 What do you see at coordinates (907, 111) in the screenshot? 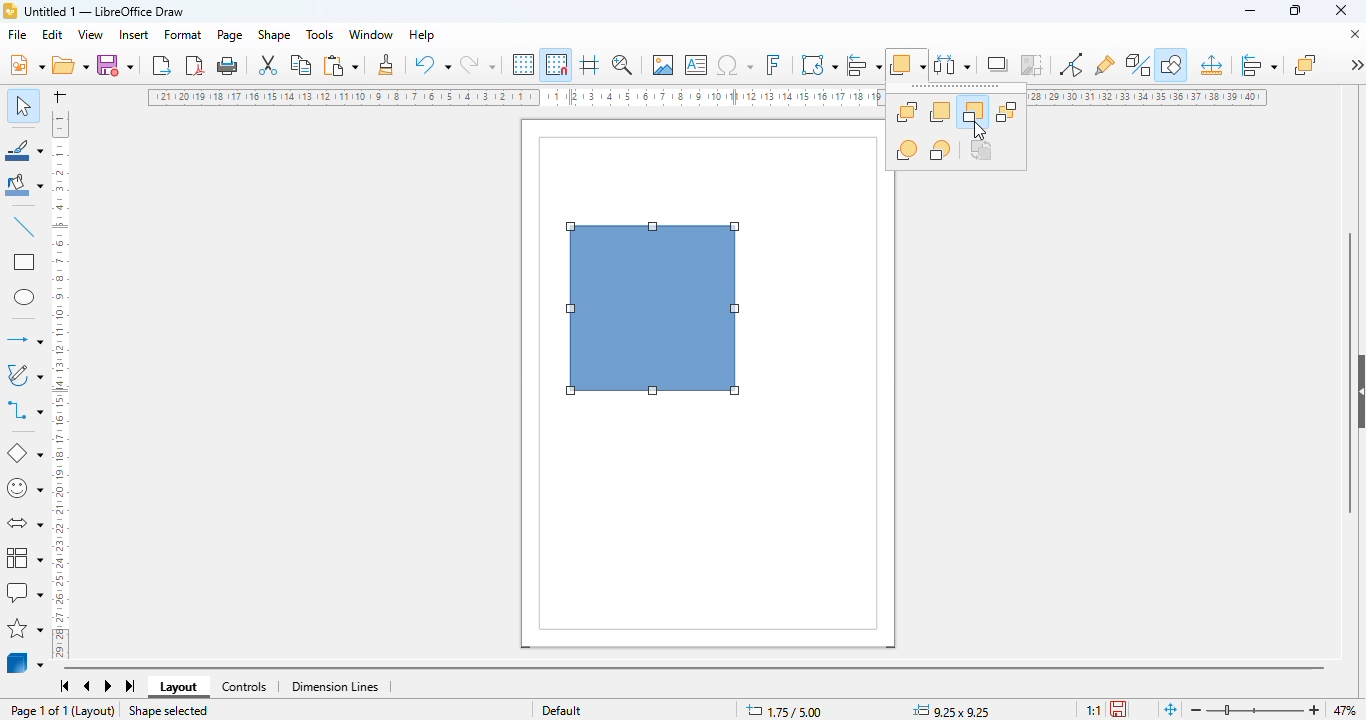
I see `bring to front` at bounding box center [907, 111].